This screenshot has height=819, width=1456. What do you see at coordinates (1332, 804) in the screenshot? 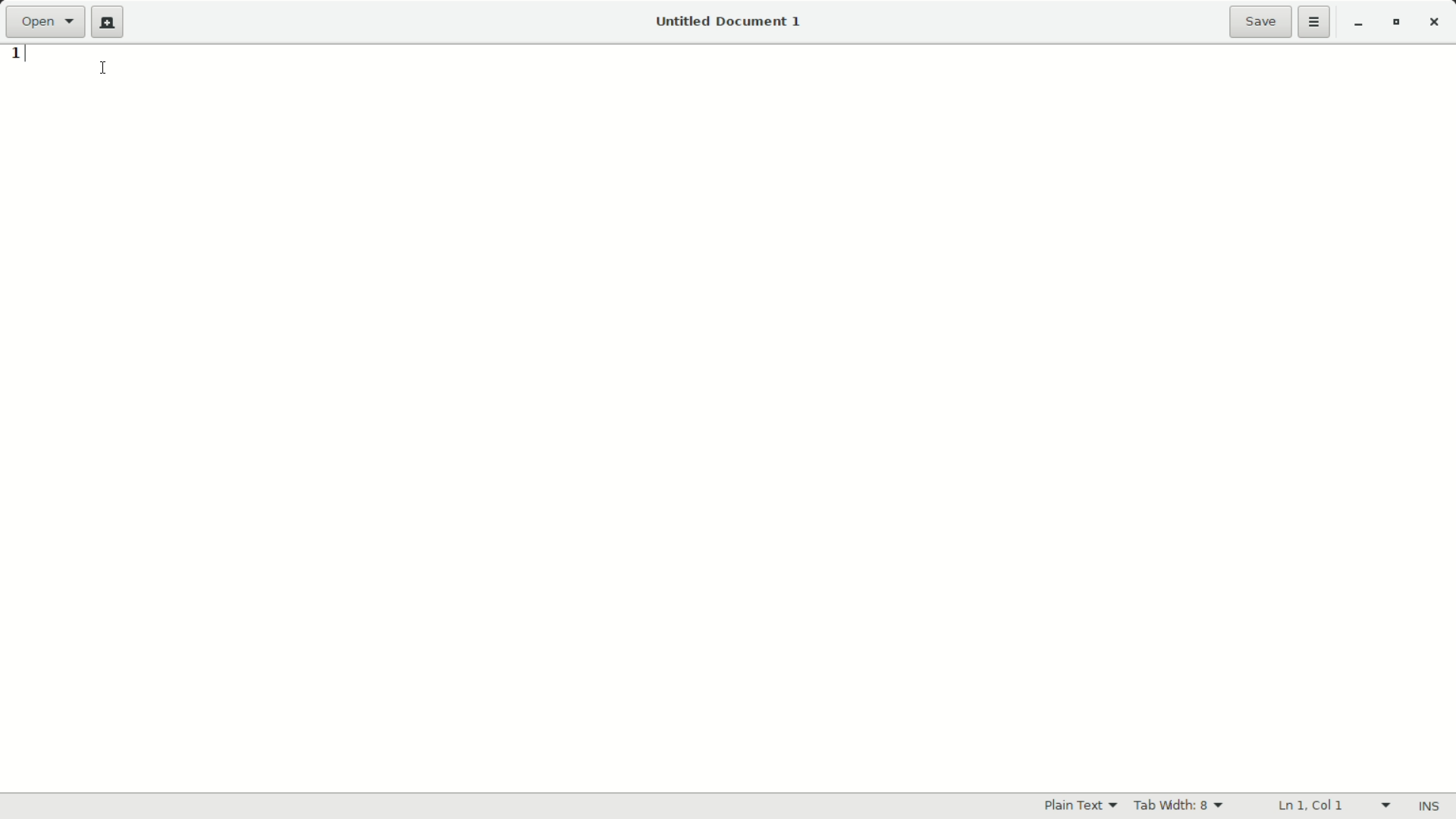
I see `ln 1 Col 1` at bounding box center [1332, 804].